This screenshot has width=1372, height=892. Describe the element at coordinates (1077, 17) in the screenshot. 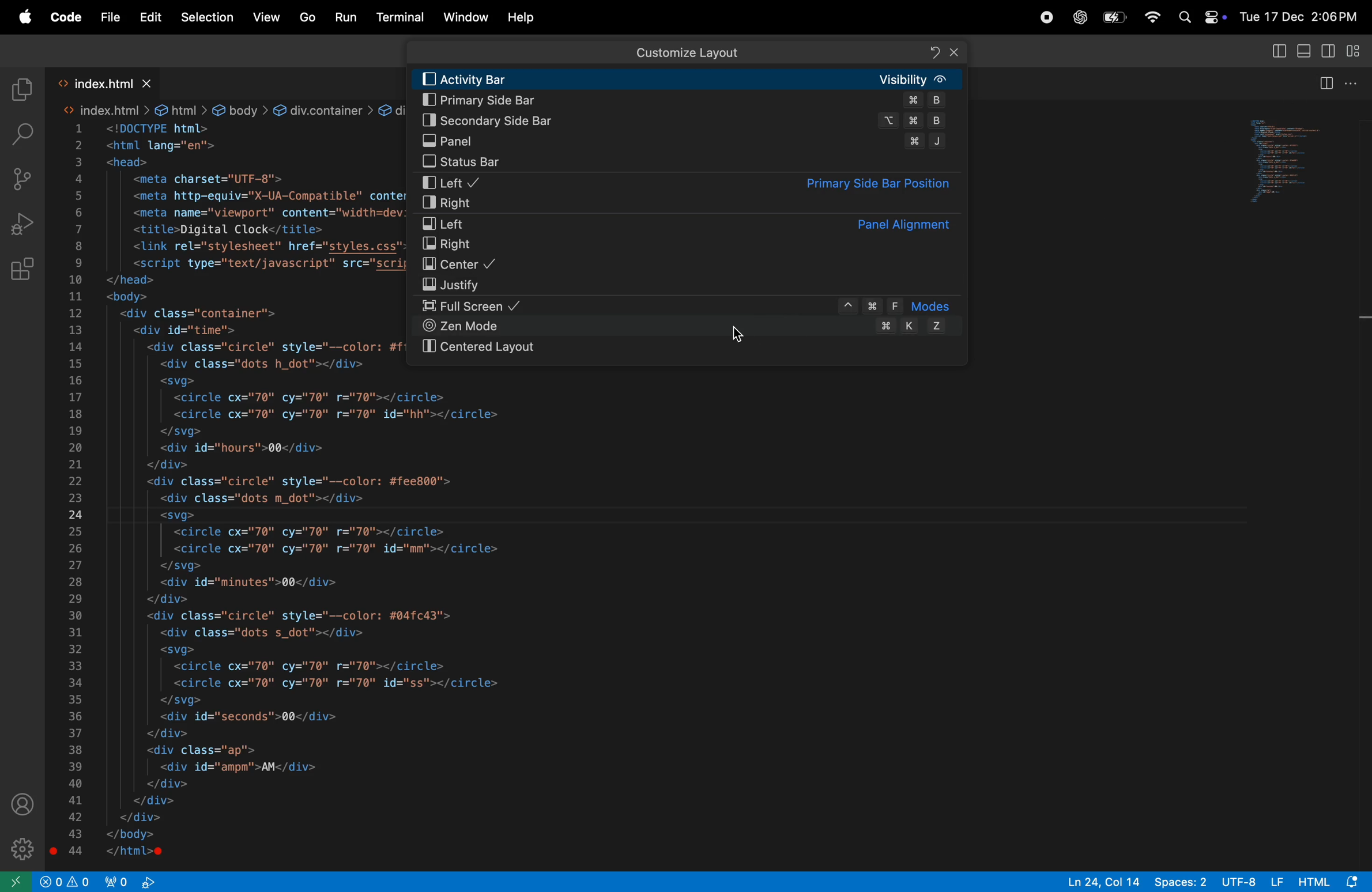

I see `chatgpt` at that location.